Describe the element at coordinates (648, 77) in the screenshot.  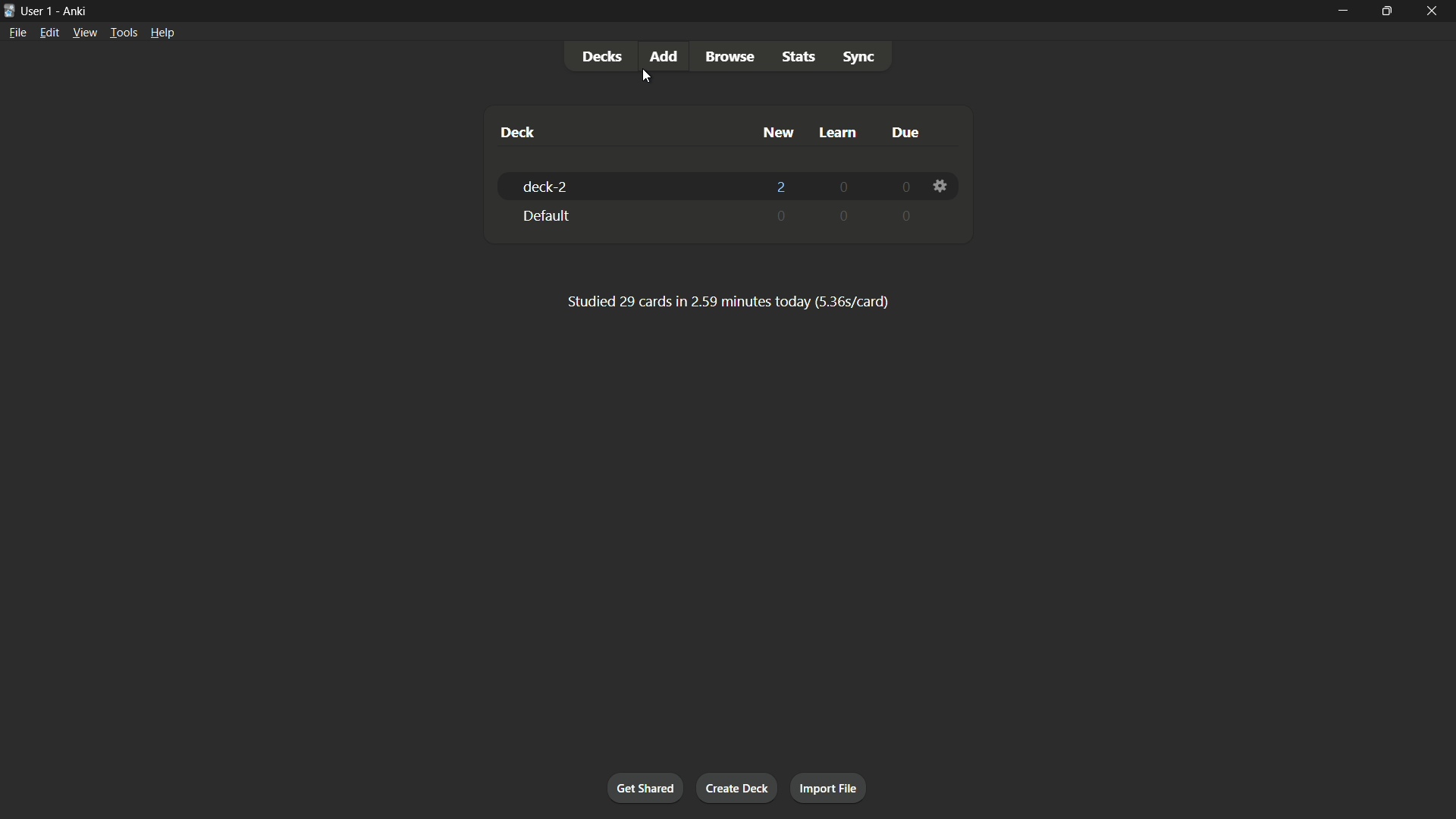
I see `cursor` at that location.